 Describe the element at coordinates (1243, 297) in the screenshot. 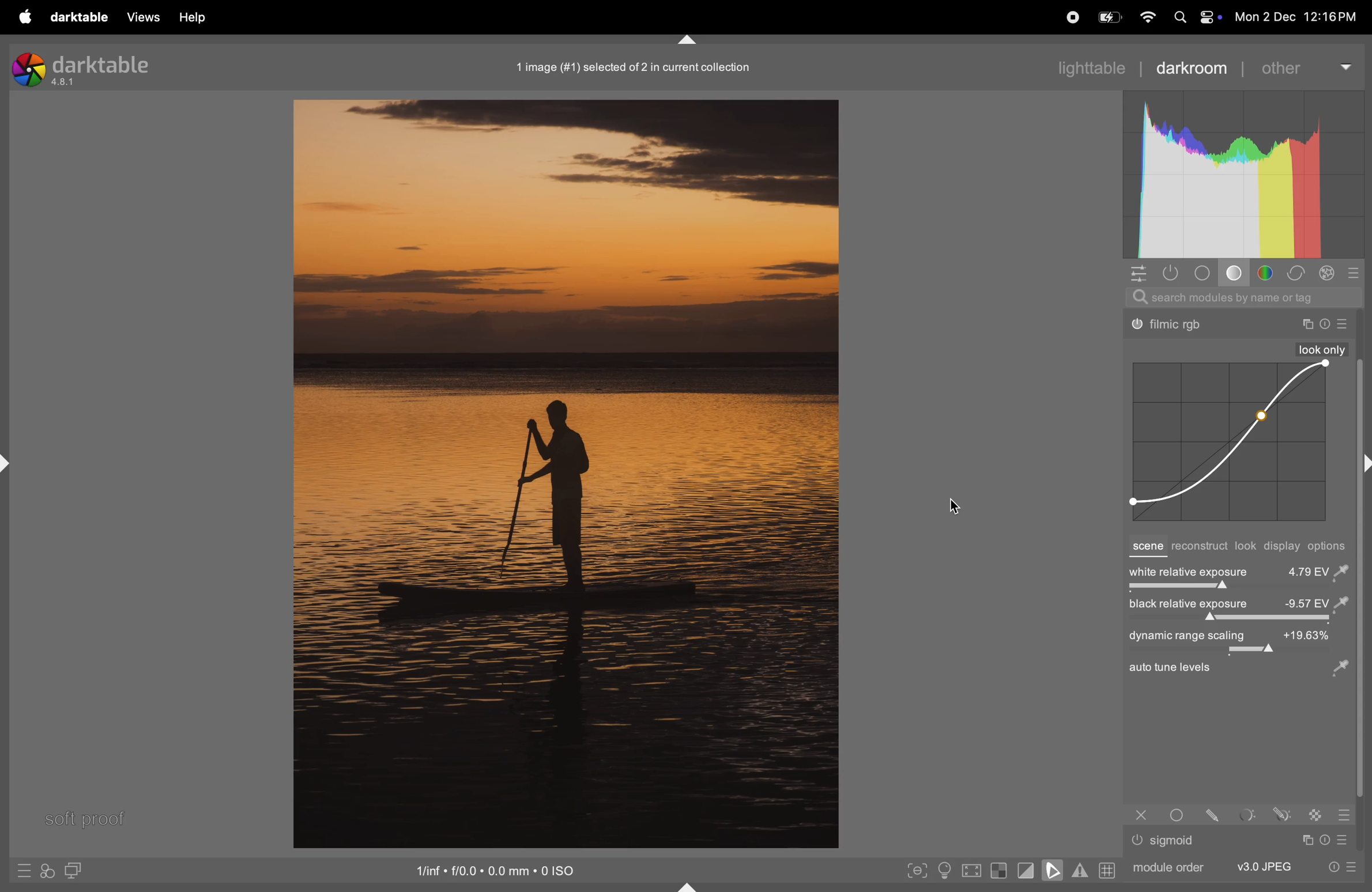

I see `searchbar` at that location.